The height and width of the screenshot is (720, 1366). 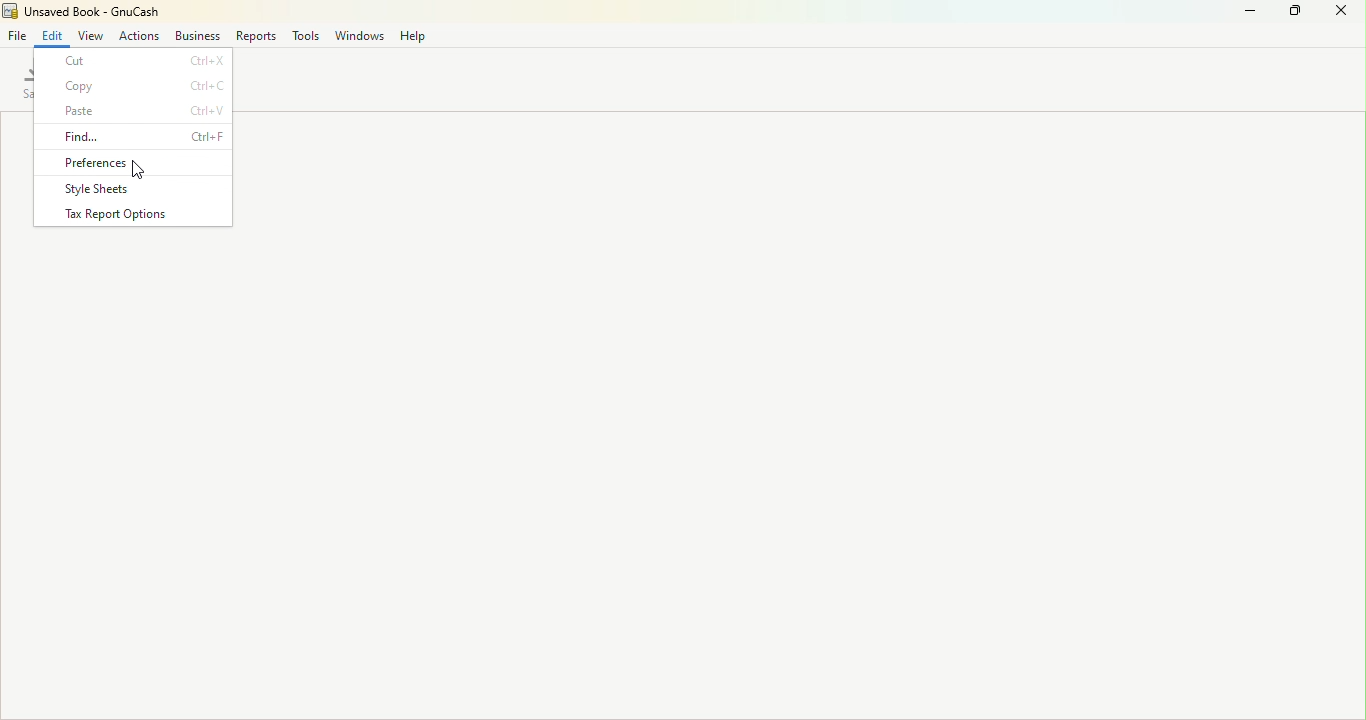 I want to click on Find Ctrl+F, so click(x=137, y=134).